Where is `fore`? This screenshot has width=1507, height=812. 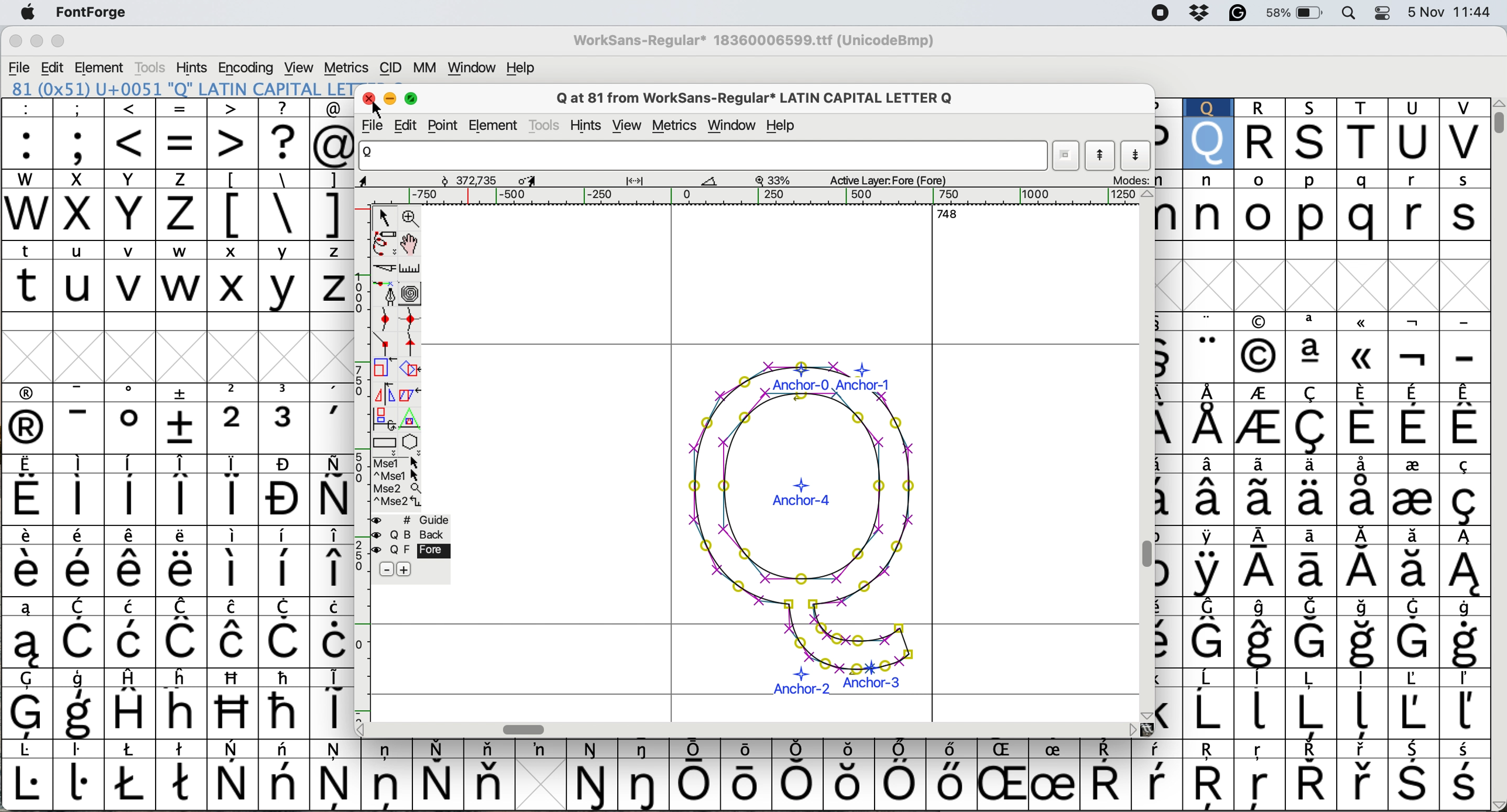
fore is located at coordinates (410, 551).